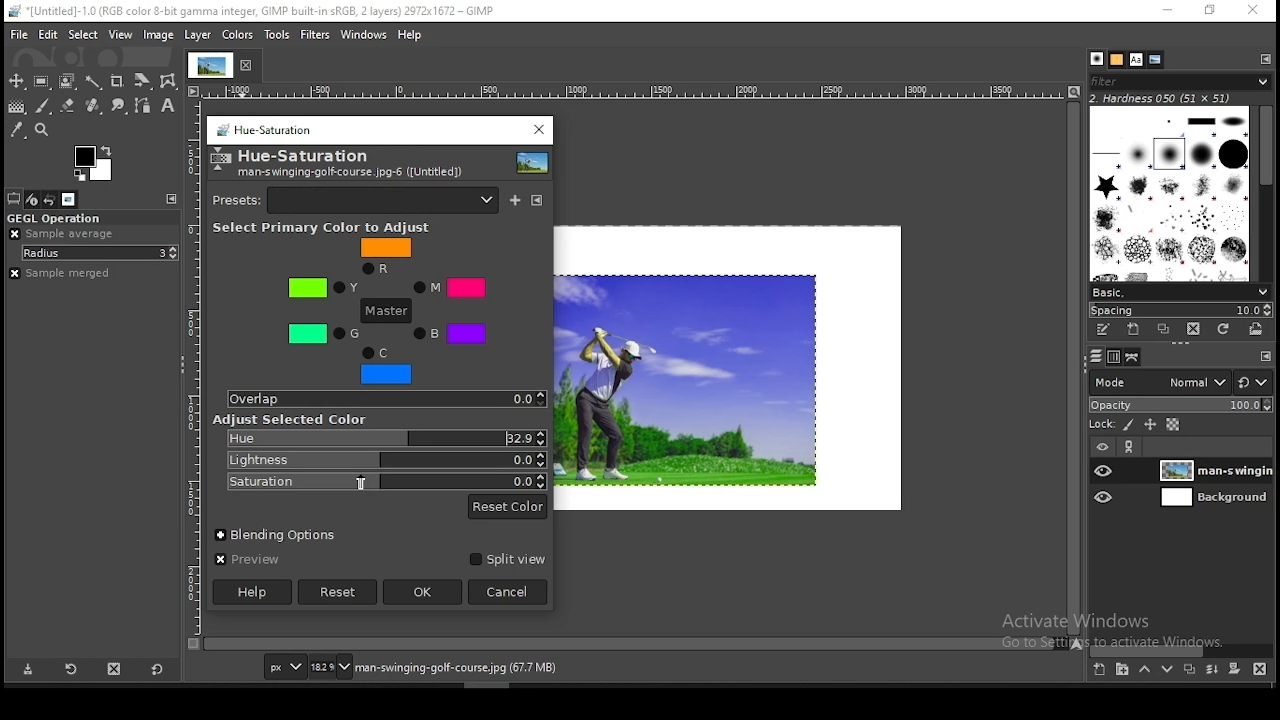 The height and width of the screenshot is (720, 1280). Describe the element at coordinates (1263, 355) in the screenshot. I see `configure this tab` at that location.